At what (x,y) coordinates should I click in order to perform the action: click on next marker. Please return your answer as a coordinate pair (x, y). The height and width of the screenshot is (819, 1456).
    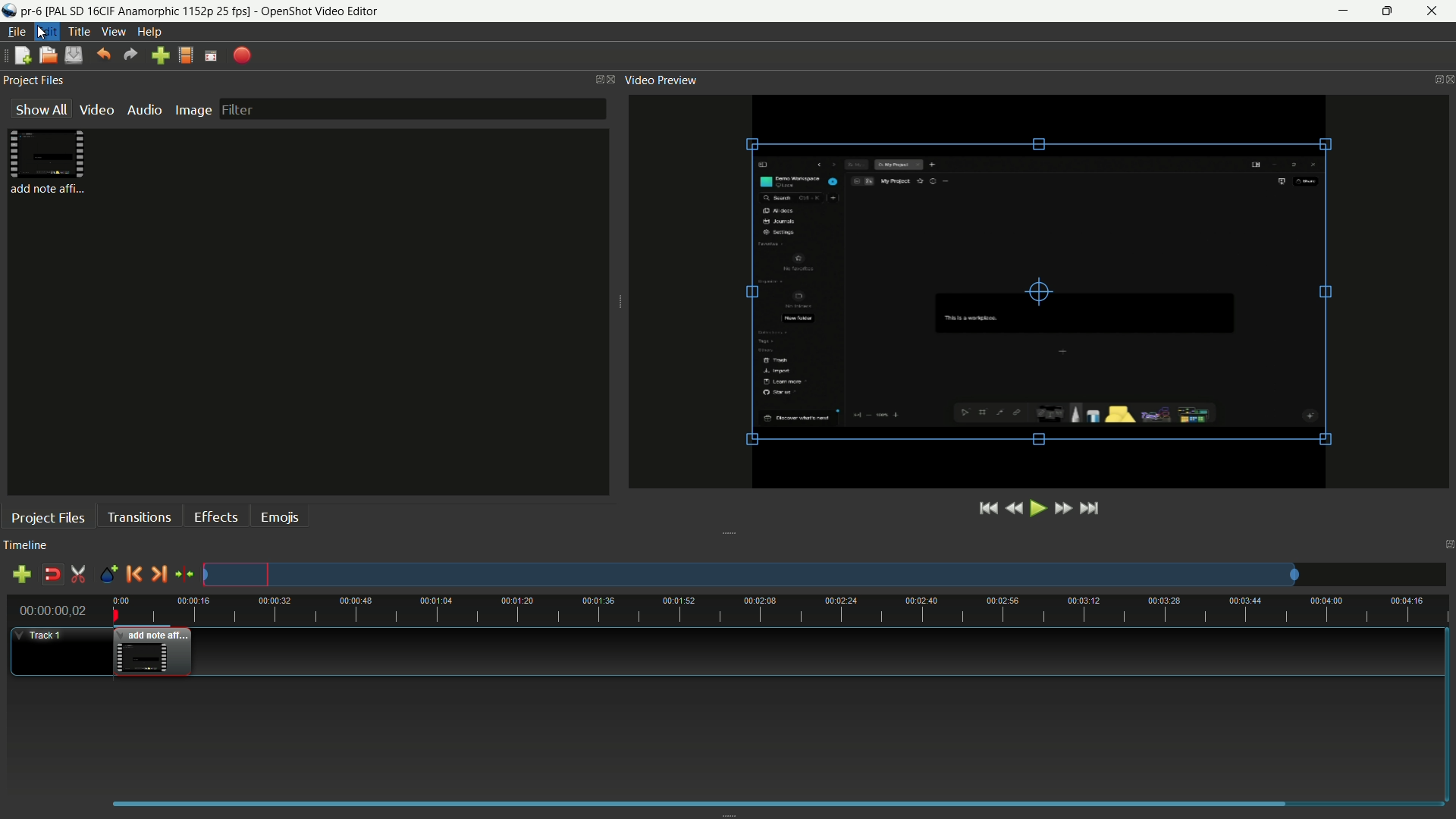
    Looking at the image, I should click on (160, 573).